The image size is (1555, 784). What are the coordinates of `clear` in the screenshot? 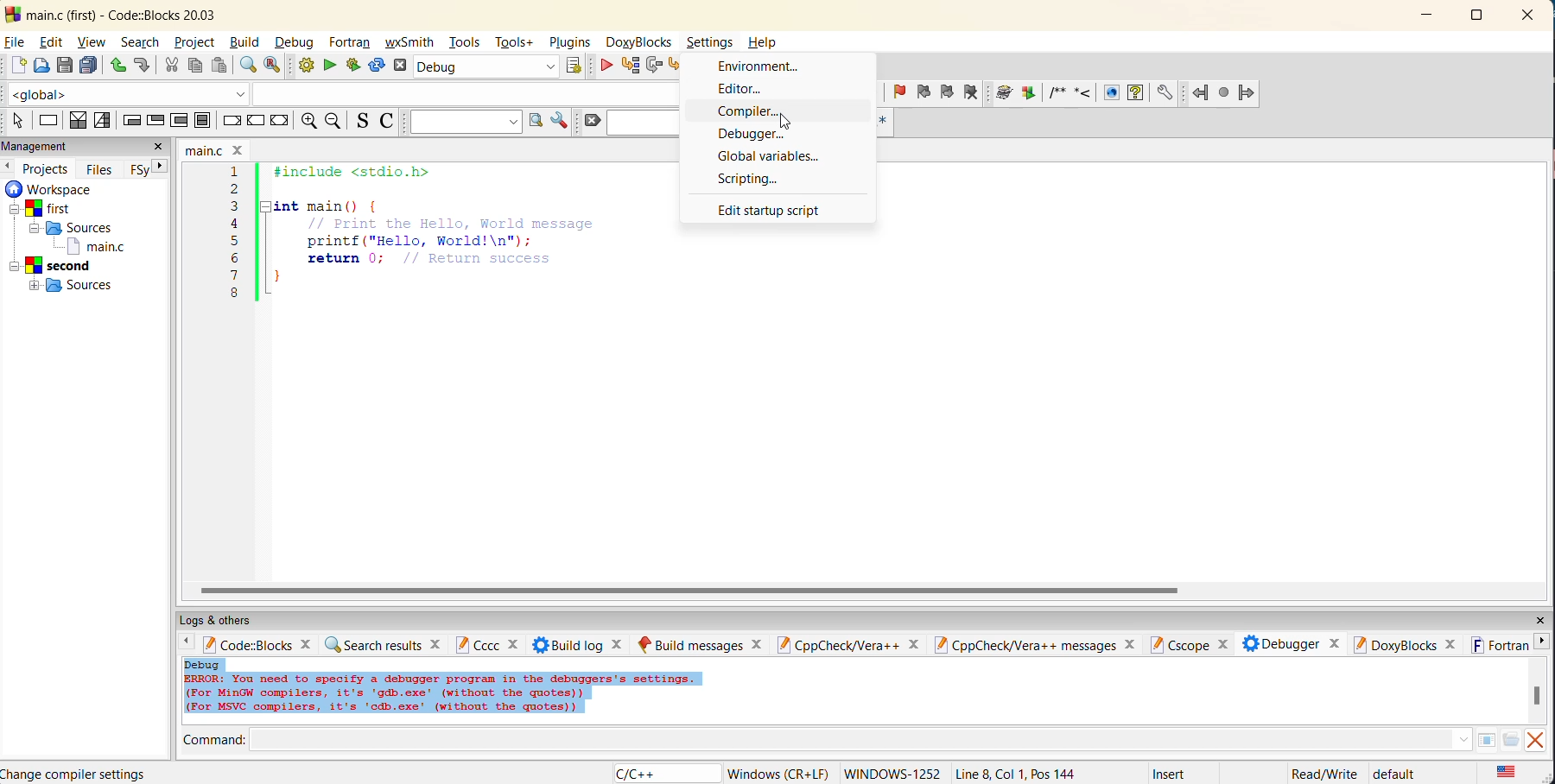 It's located at (593, 123).